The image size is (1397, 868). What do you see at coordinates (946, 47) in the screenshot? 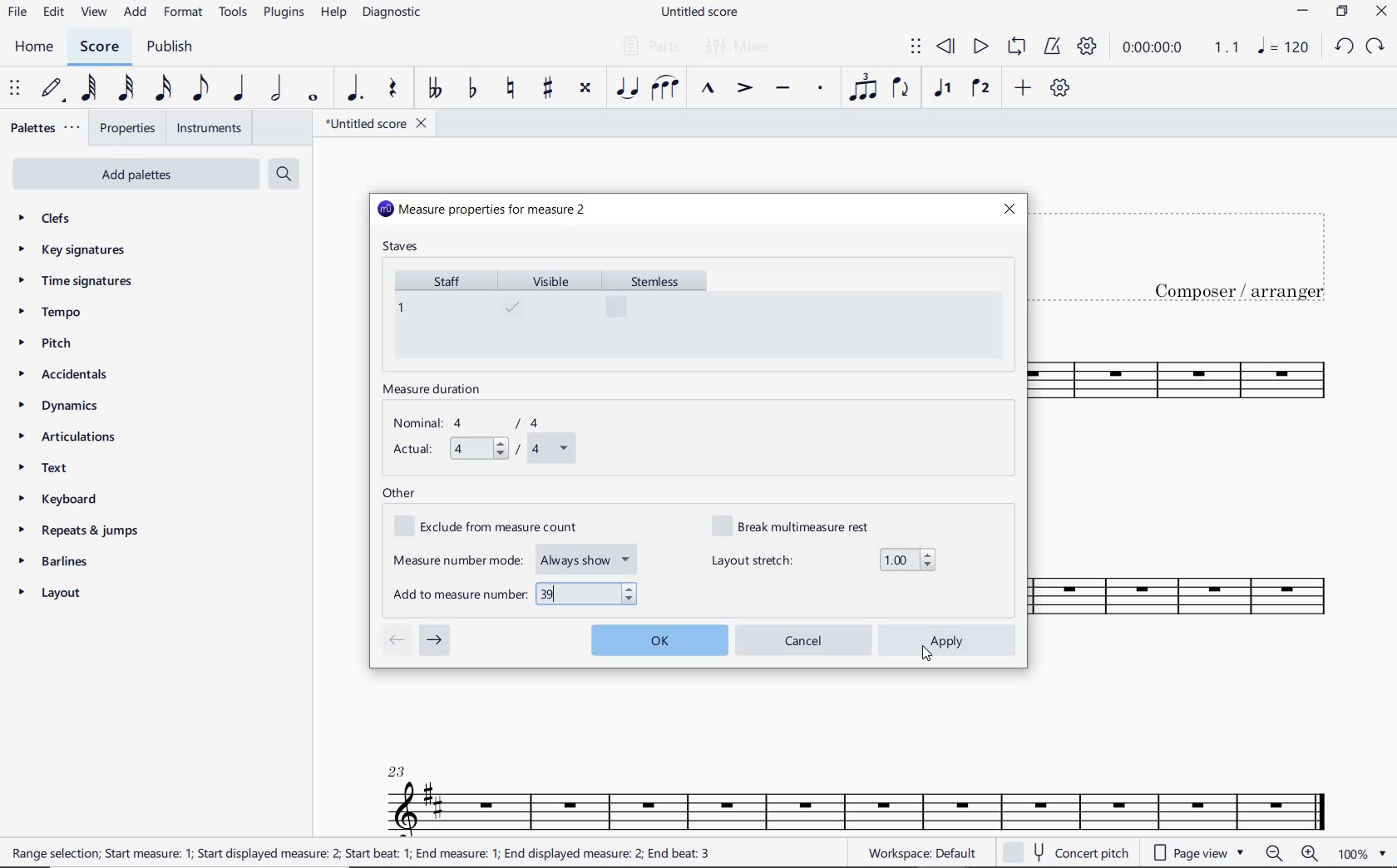
I see `REWIND` at bounding box center [946, 47].